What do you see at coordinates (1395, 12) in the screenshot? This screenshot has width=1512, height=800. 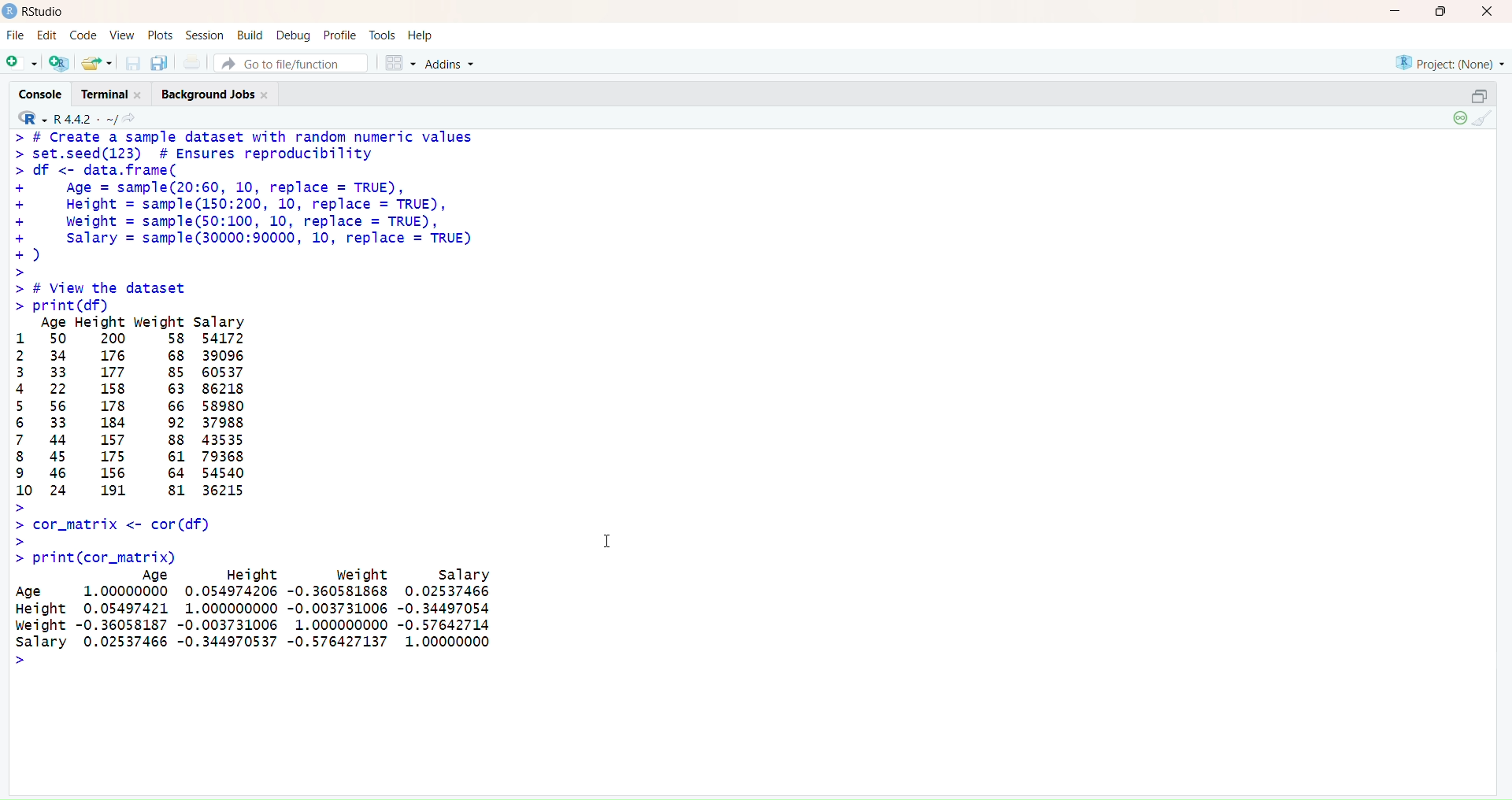 I see `Minimize` at bounding box center [1395, 12].